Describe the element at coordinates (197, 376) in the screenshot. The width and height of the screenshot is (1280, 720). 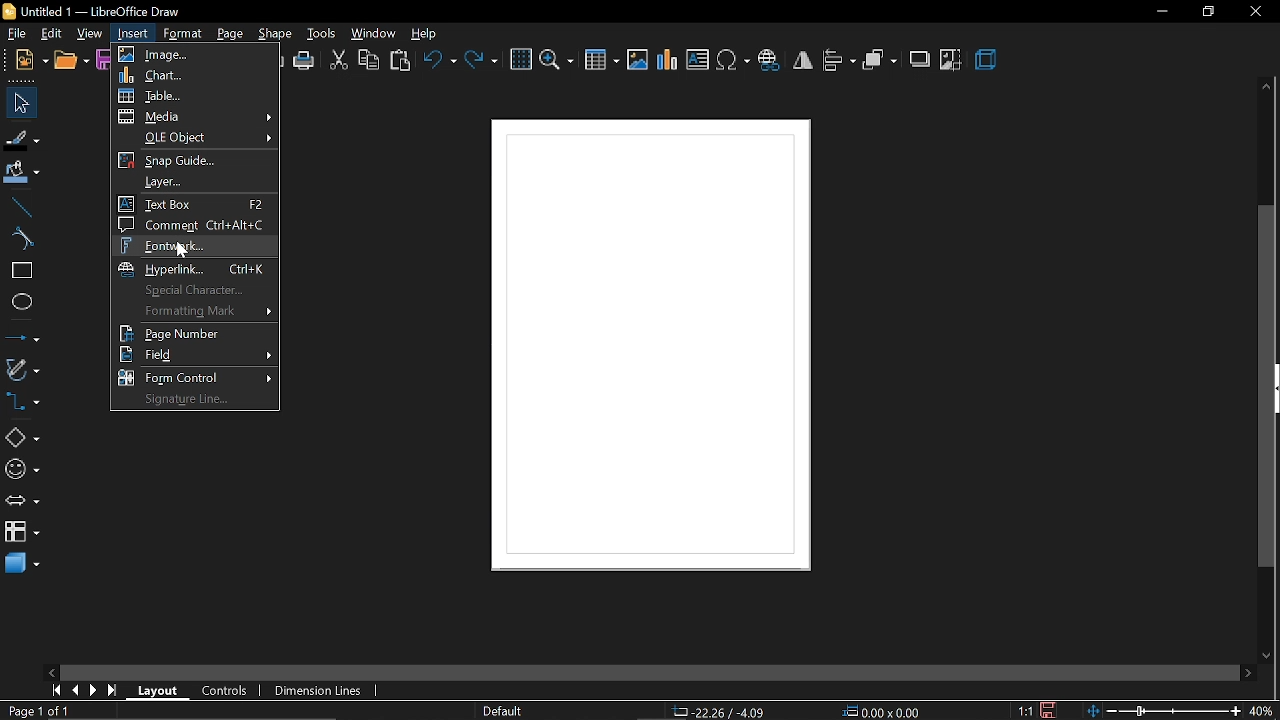
I see `form control` at that location.